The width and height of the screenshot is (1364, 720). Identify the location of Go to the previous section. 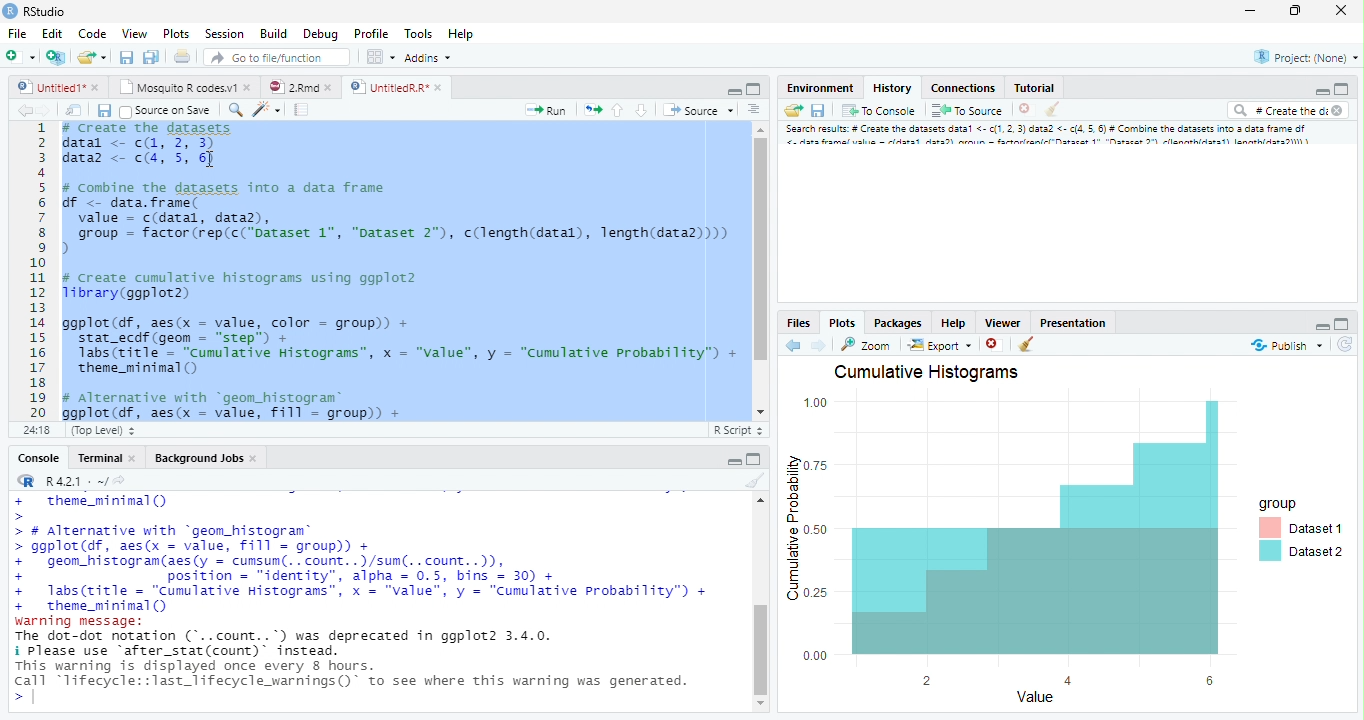
(619, 113).